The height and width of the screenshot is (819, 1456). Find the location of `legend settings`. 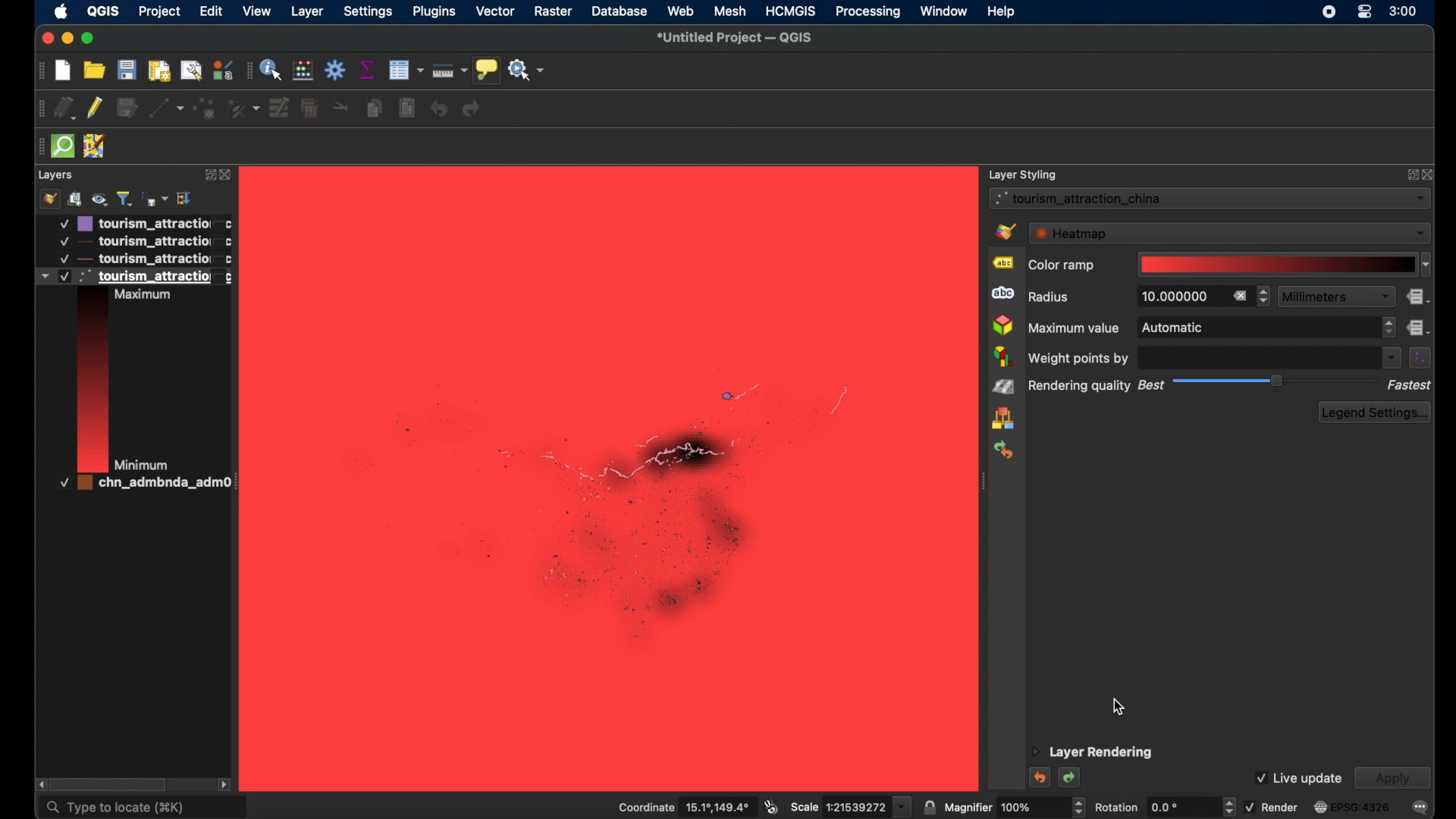

legend settings is located at coordinates (1376, 413).